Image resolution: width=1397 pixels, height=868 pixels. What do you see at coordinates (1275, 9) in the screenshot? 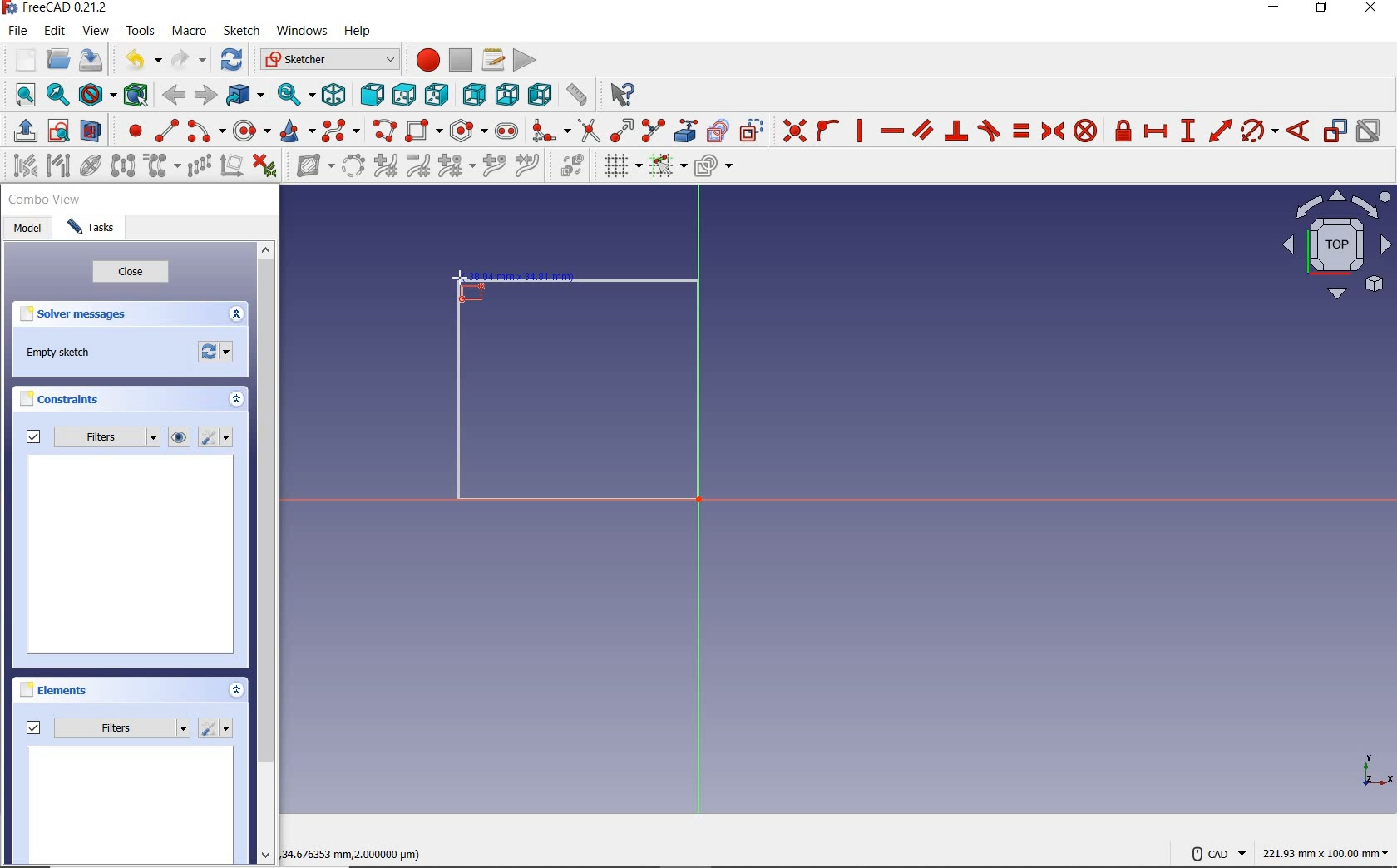
I see `minimize` at bounding box center [1275, 9].